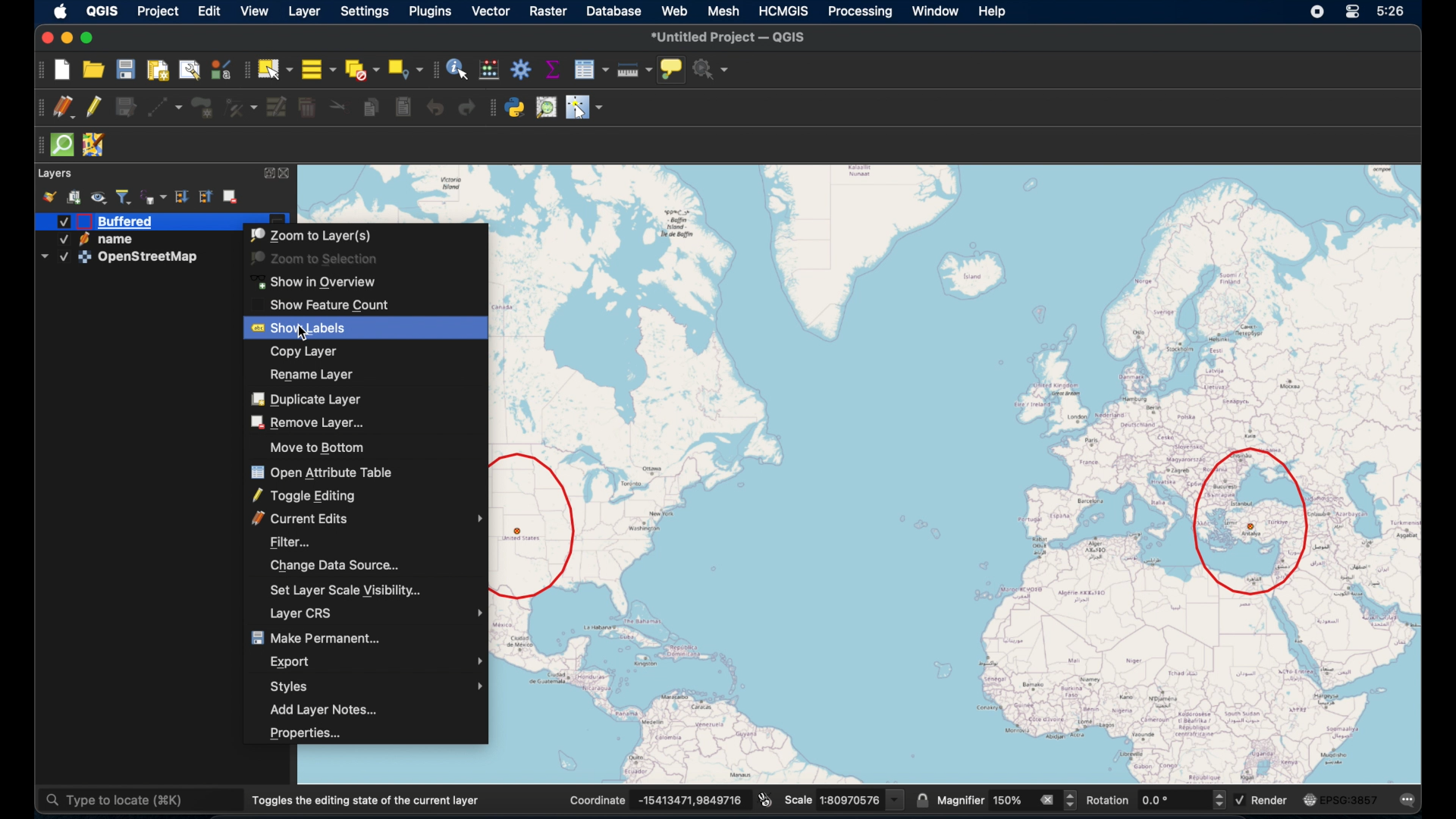  What do you see at coordinates (65, 38) in the screenshot?
I see `minimize` at bounding box center [65, 38].